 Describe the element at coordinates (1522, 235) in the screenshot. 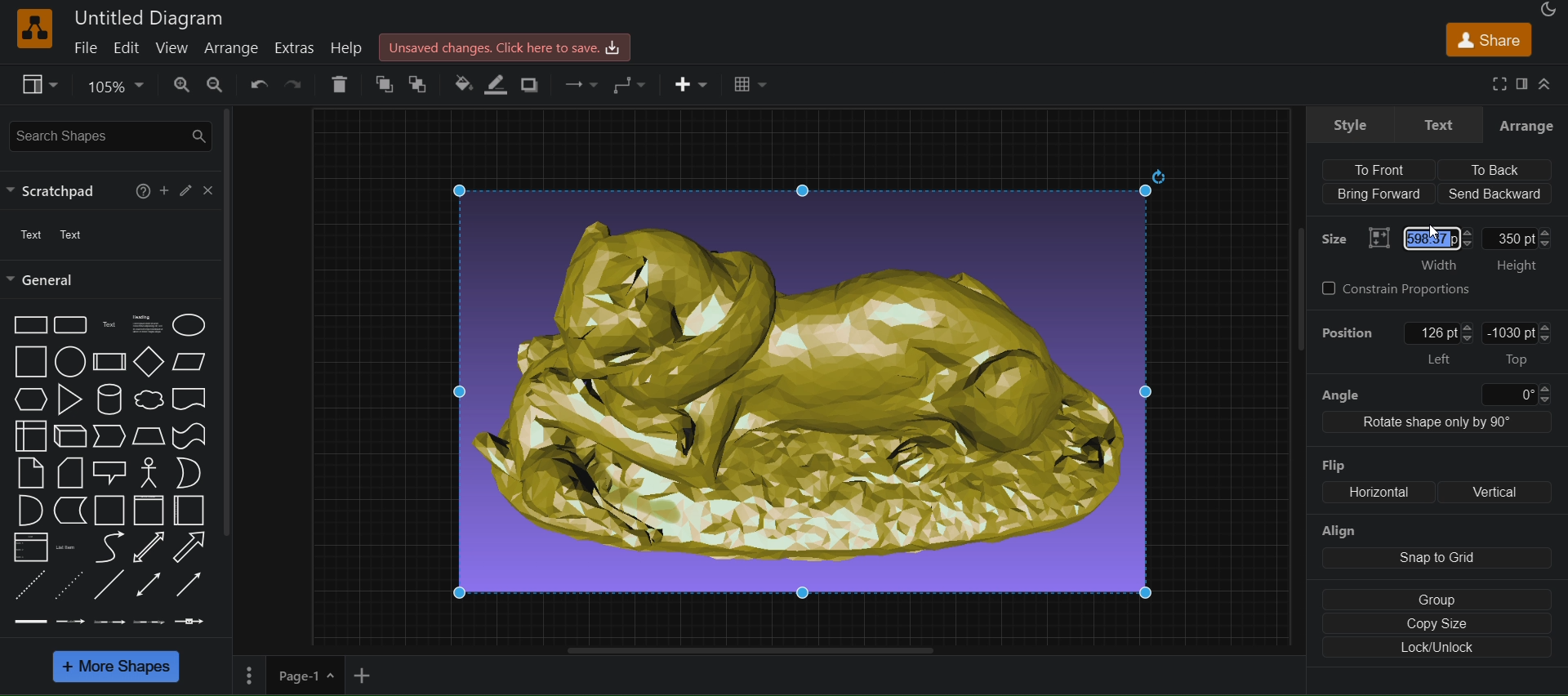

I see `350pt: Height` at that location.